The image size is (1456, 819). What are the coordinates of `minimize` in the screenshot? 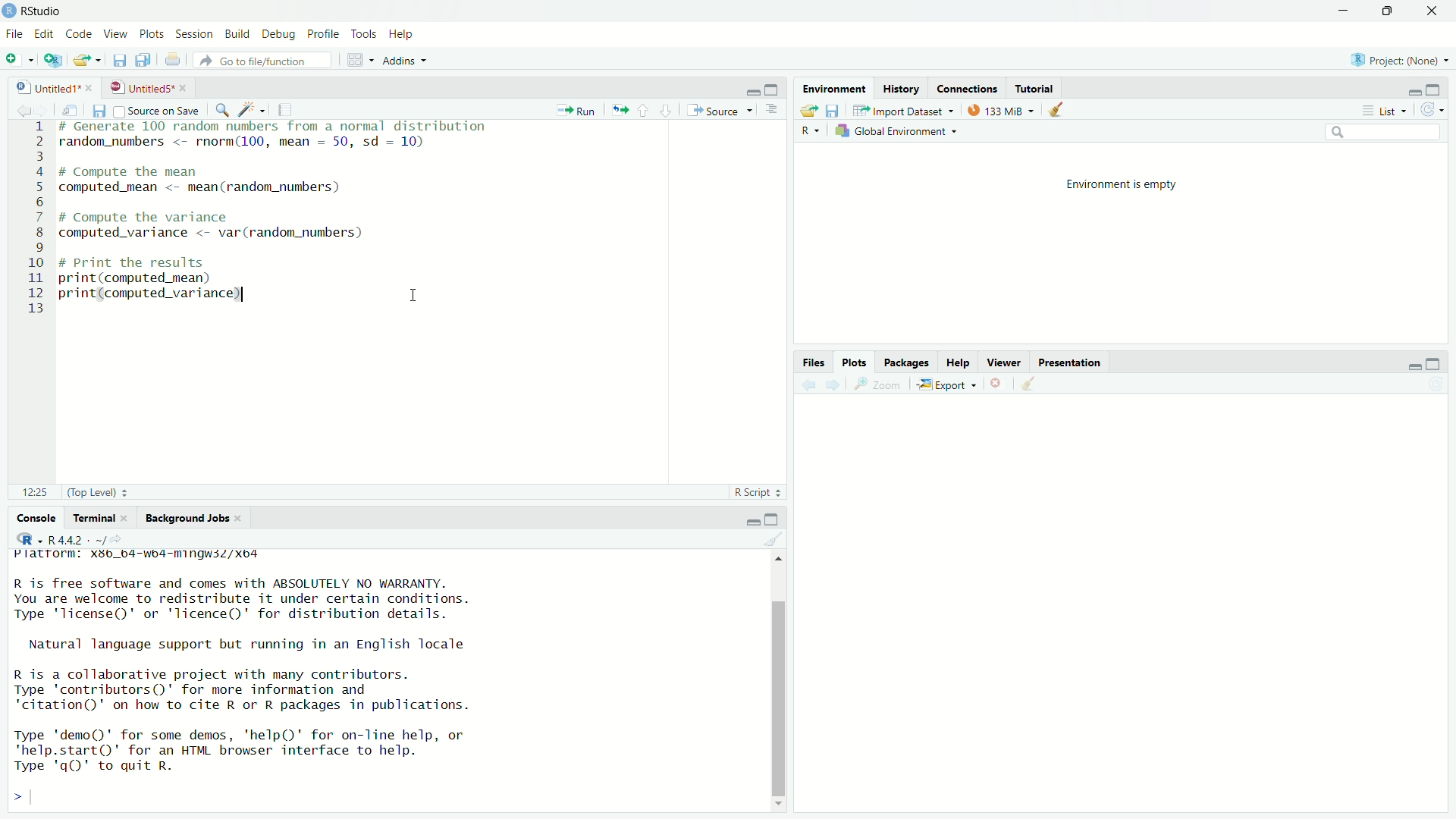 It's located at (1344, 10).